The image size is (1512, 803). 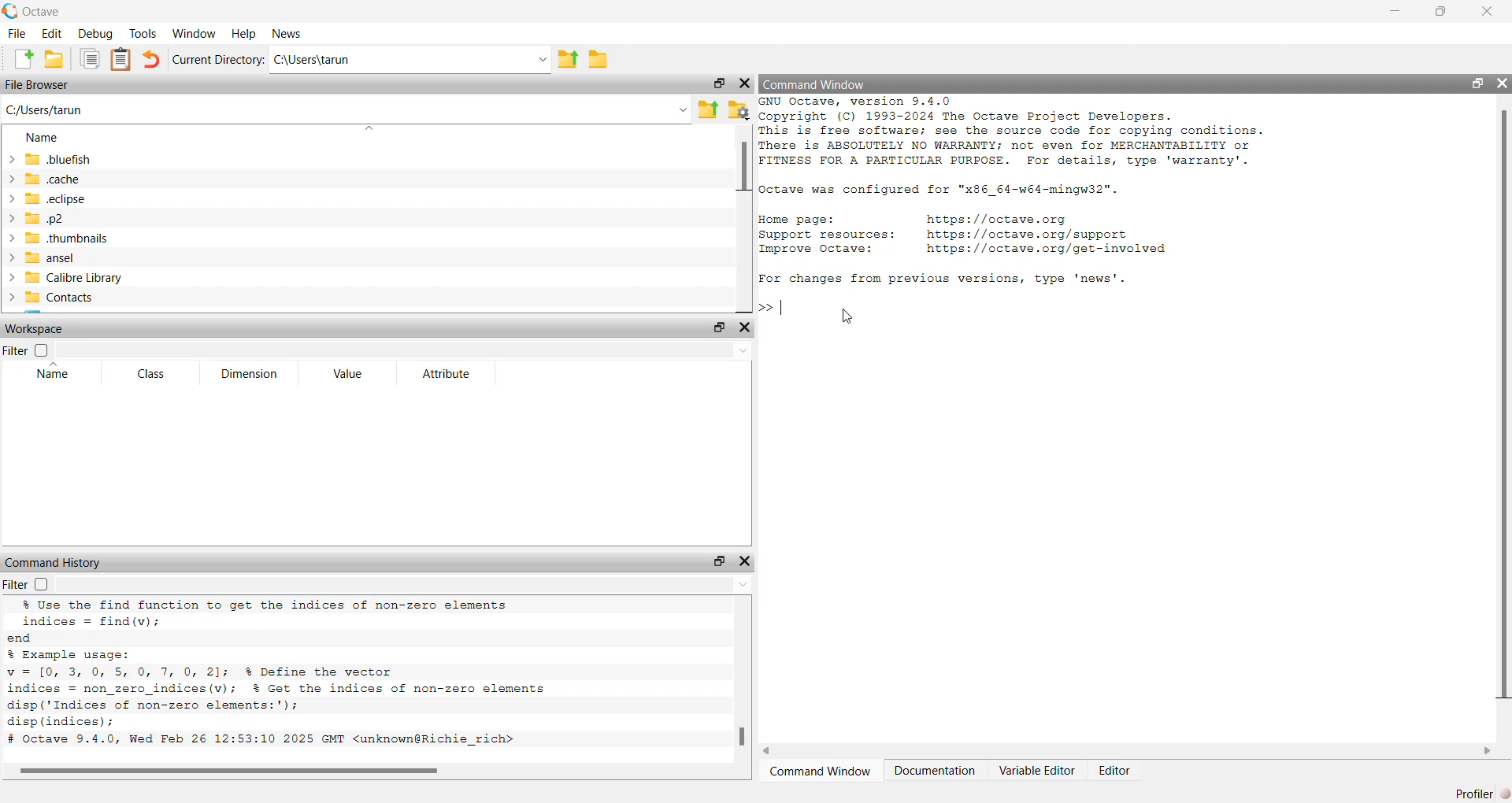 I want to click on  Command Window, so click(x=815, y=85).